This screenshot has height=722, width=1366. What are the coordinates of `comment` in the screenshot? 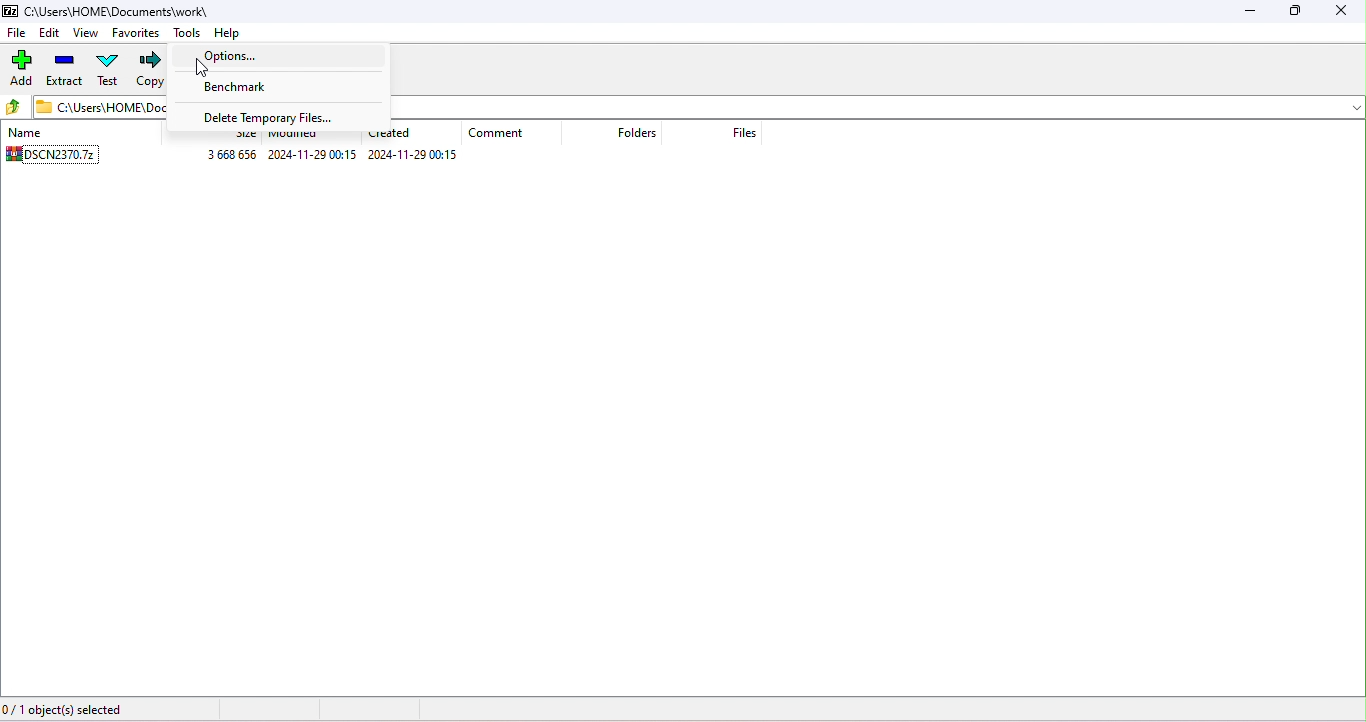 It's located at (514, 133).